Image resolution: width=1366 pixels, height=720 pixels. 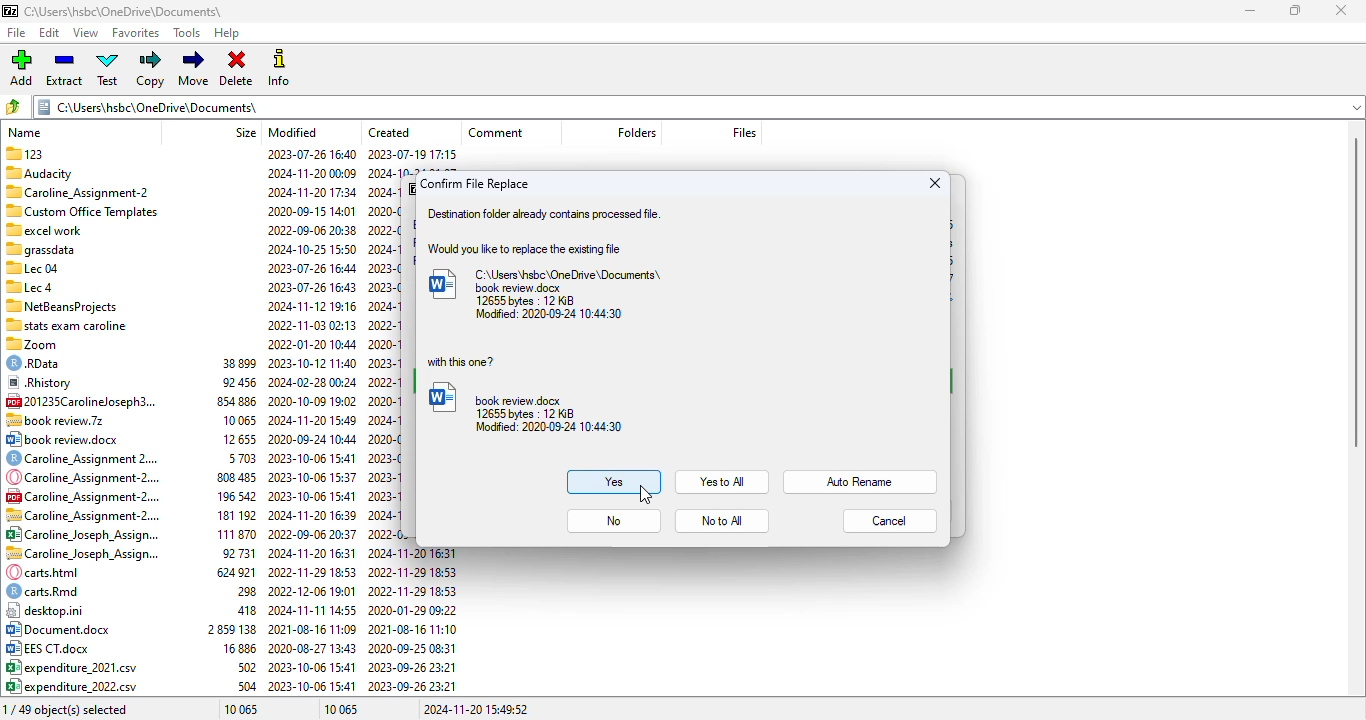 I want to click on Lec 04, so click(x=32, y=267).